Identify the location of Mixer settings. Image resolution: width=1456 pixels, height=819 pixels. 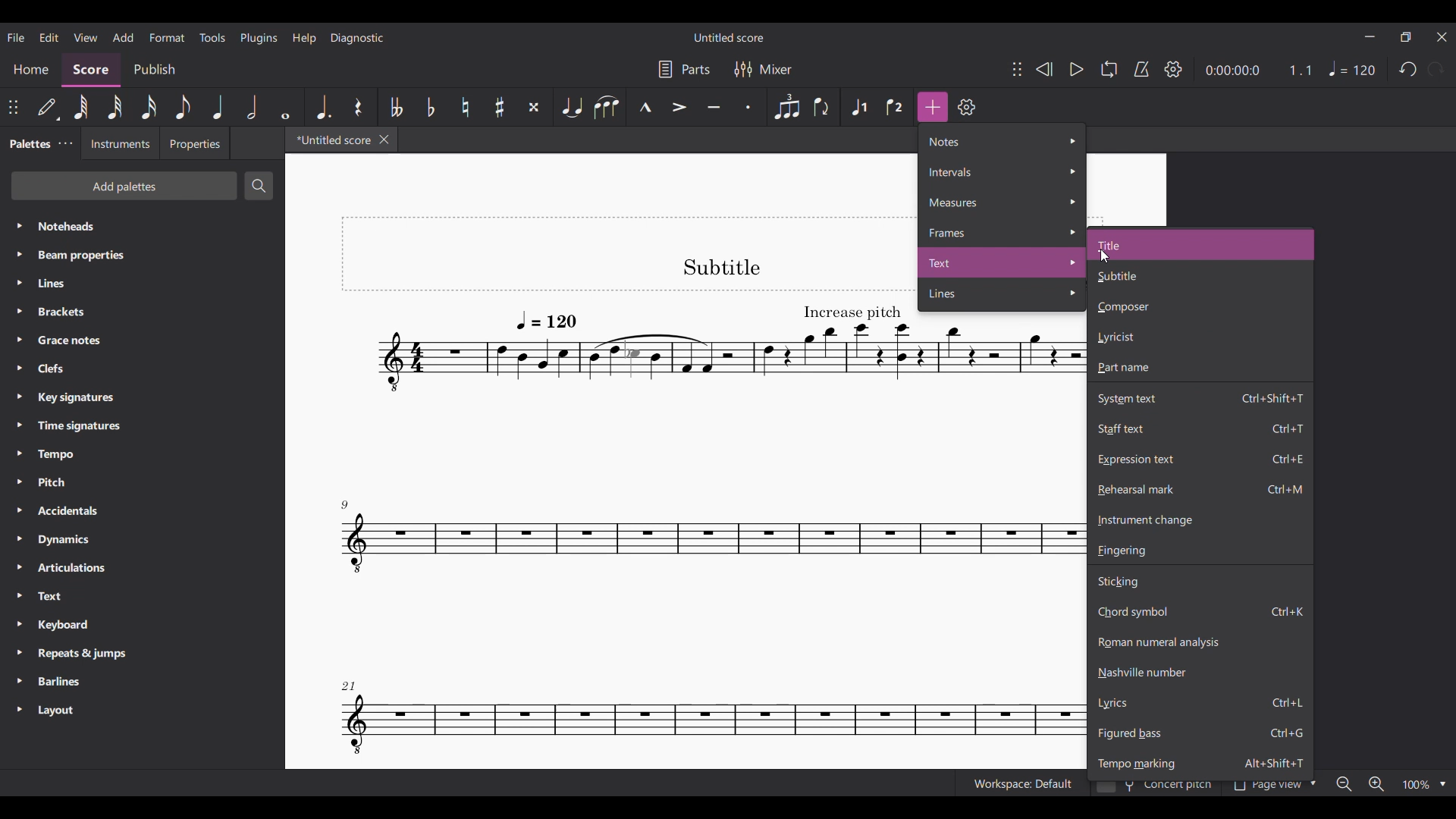
(764, 70).